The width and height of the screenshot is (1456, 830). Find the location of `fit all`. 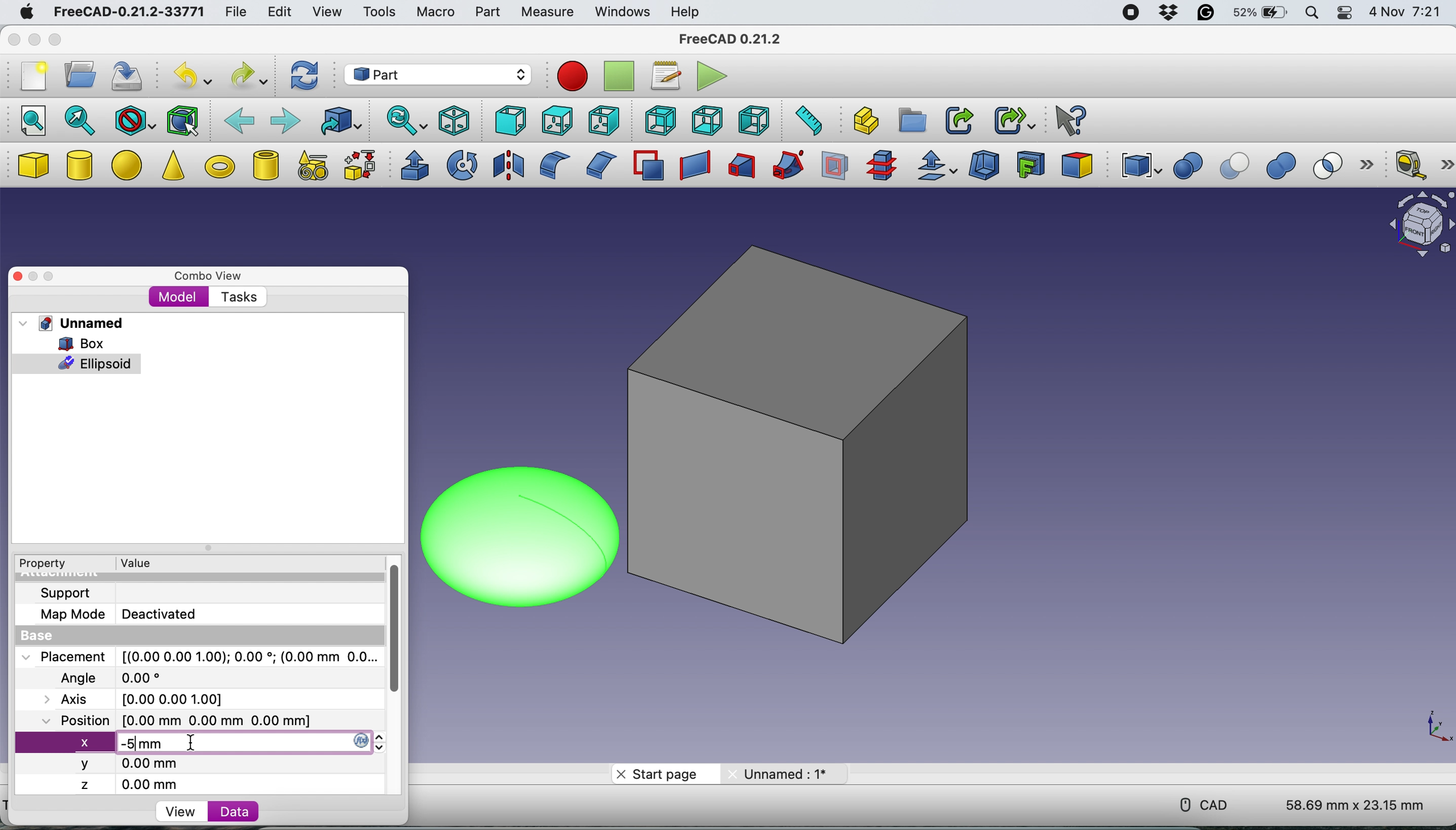

fit all is located at coordinates (28, 119).